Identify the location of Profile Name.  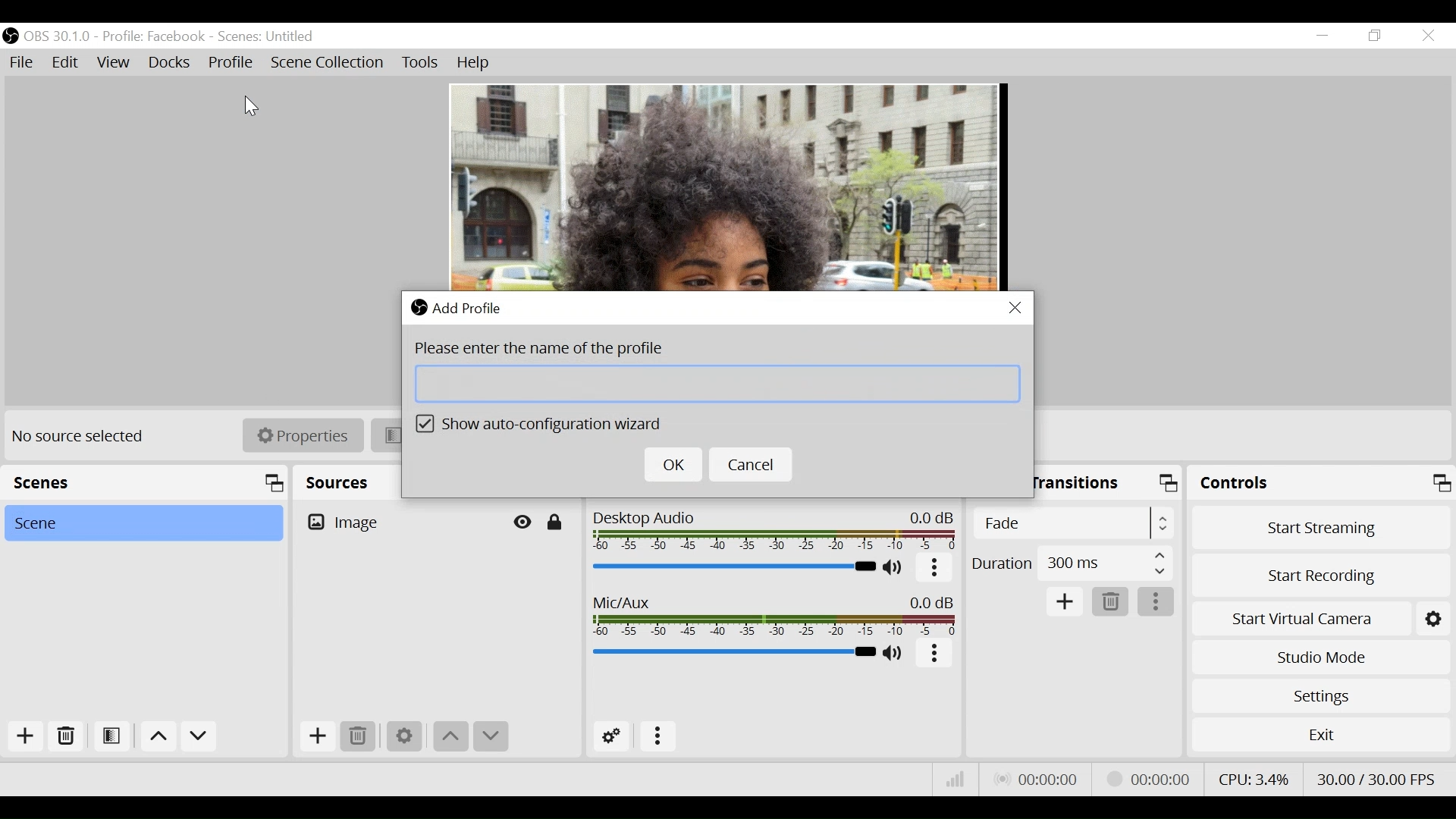
(153, 37).